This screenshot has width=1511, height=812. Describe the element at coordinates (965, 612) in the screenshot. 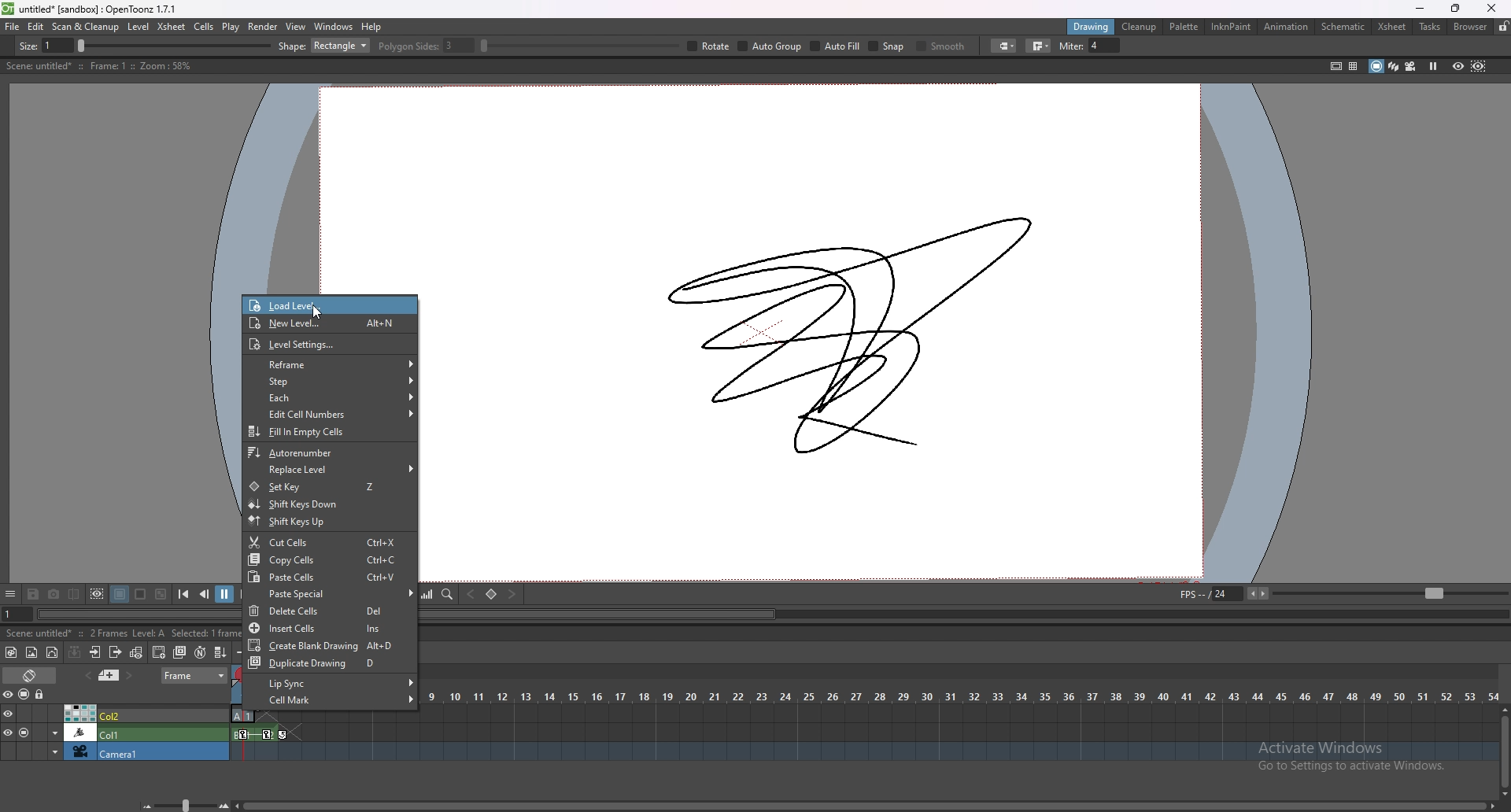

I see `animation player` at that location.